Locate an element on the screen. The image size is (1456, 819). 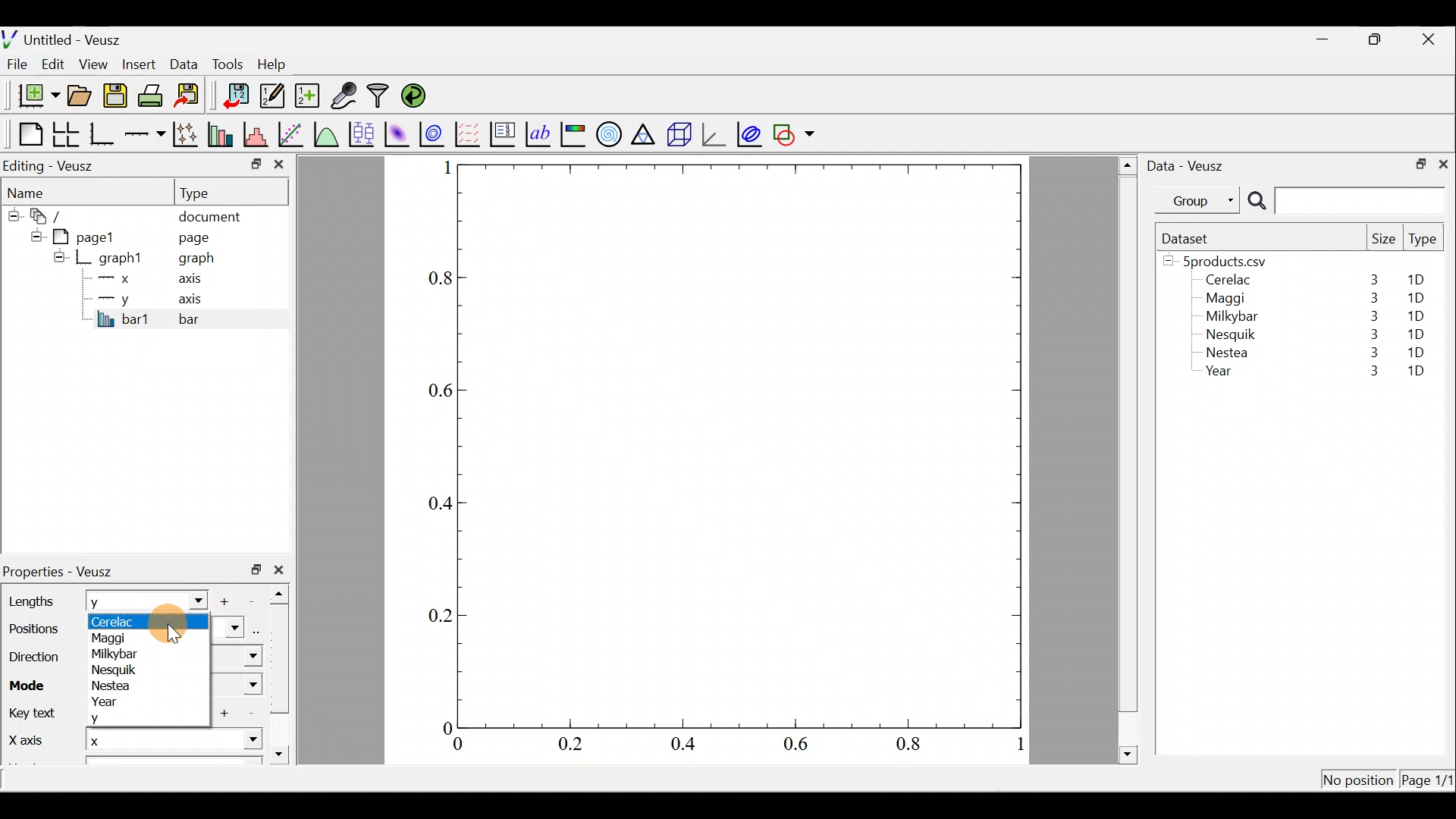
0.8 is located at coordinates (438, 279).